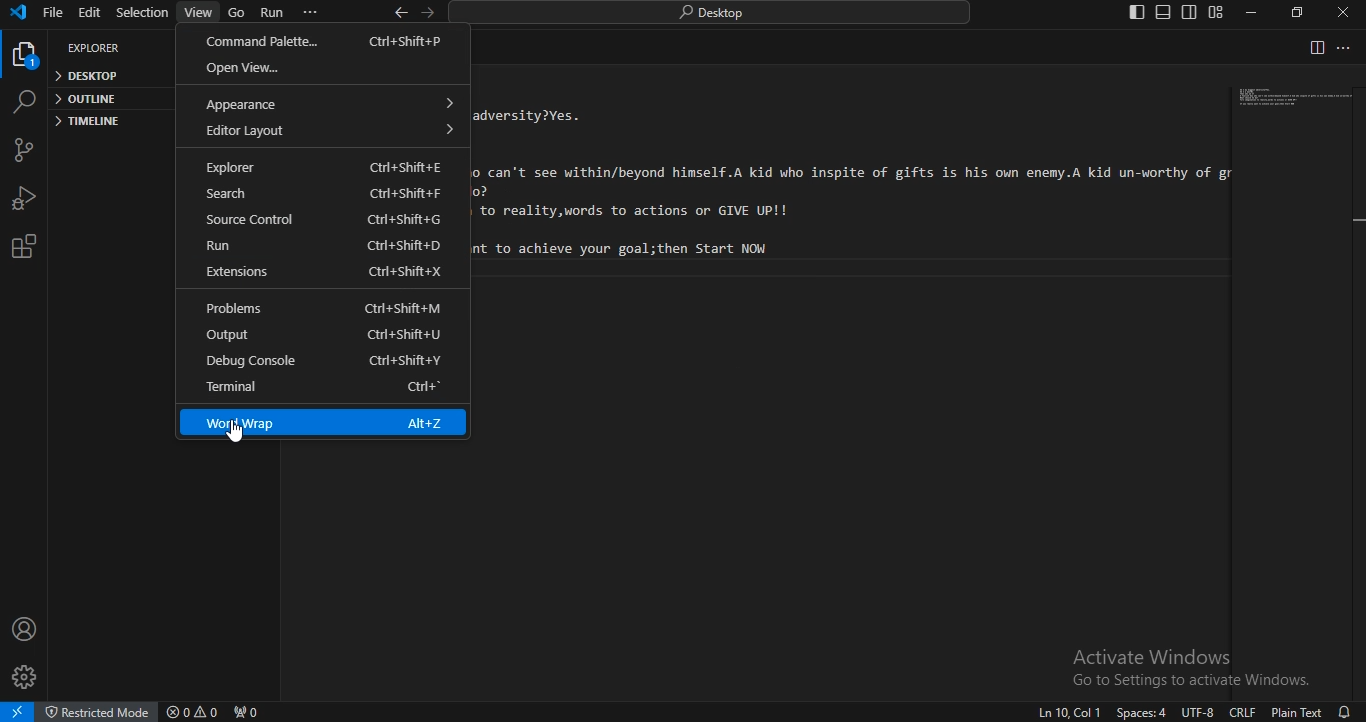  What do you see at coordinates (322, 169) in the screenshot?
I see `explorer` at bounding box center [322, 169].